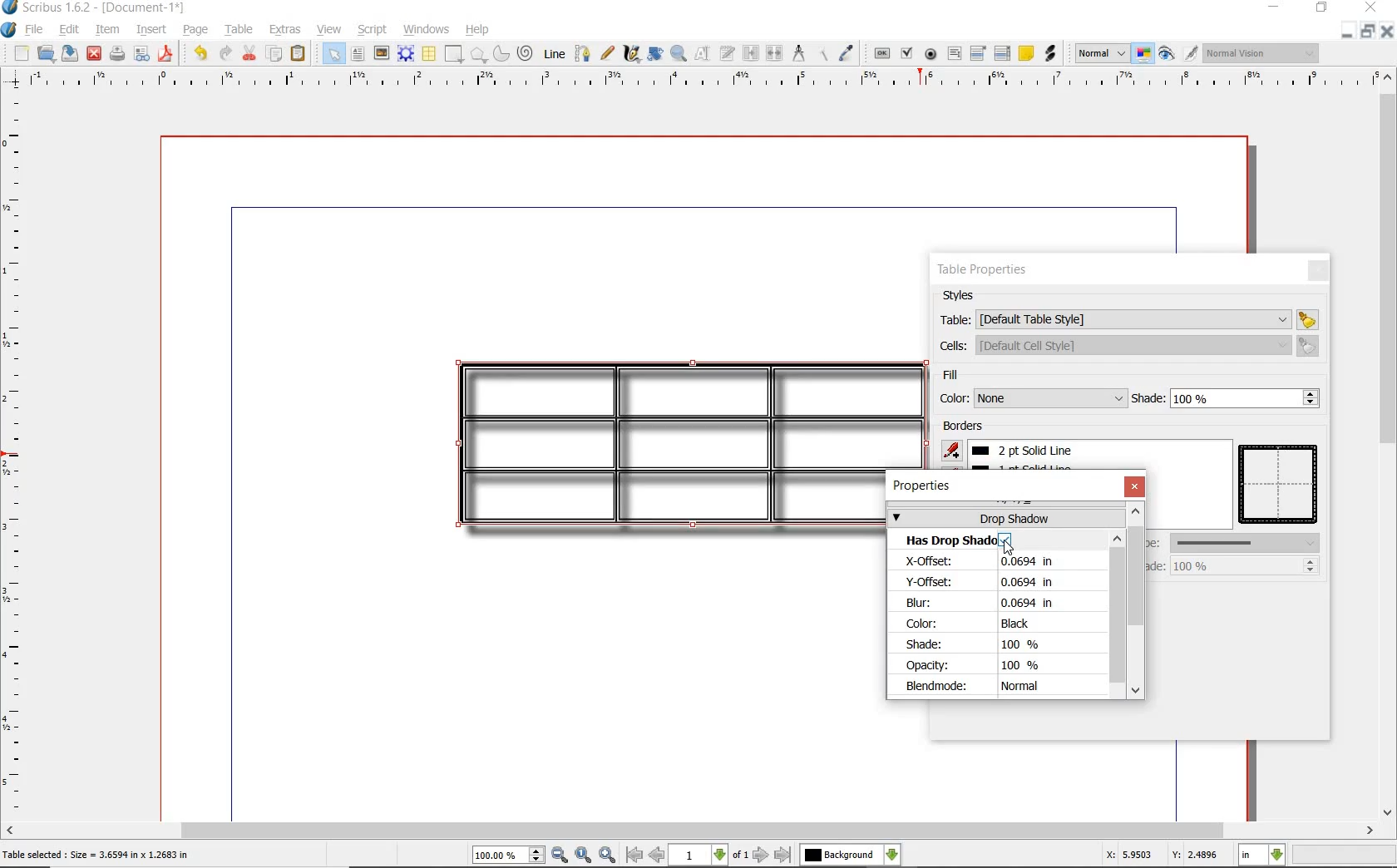 The width and height of the screenshot is (1397, 868). I want to click on pdf radio button, so click(931, 55).